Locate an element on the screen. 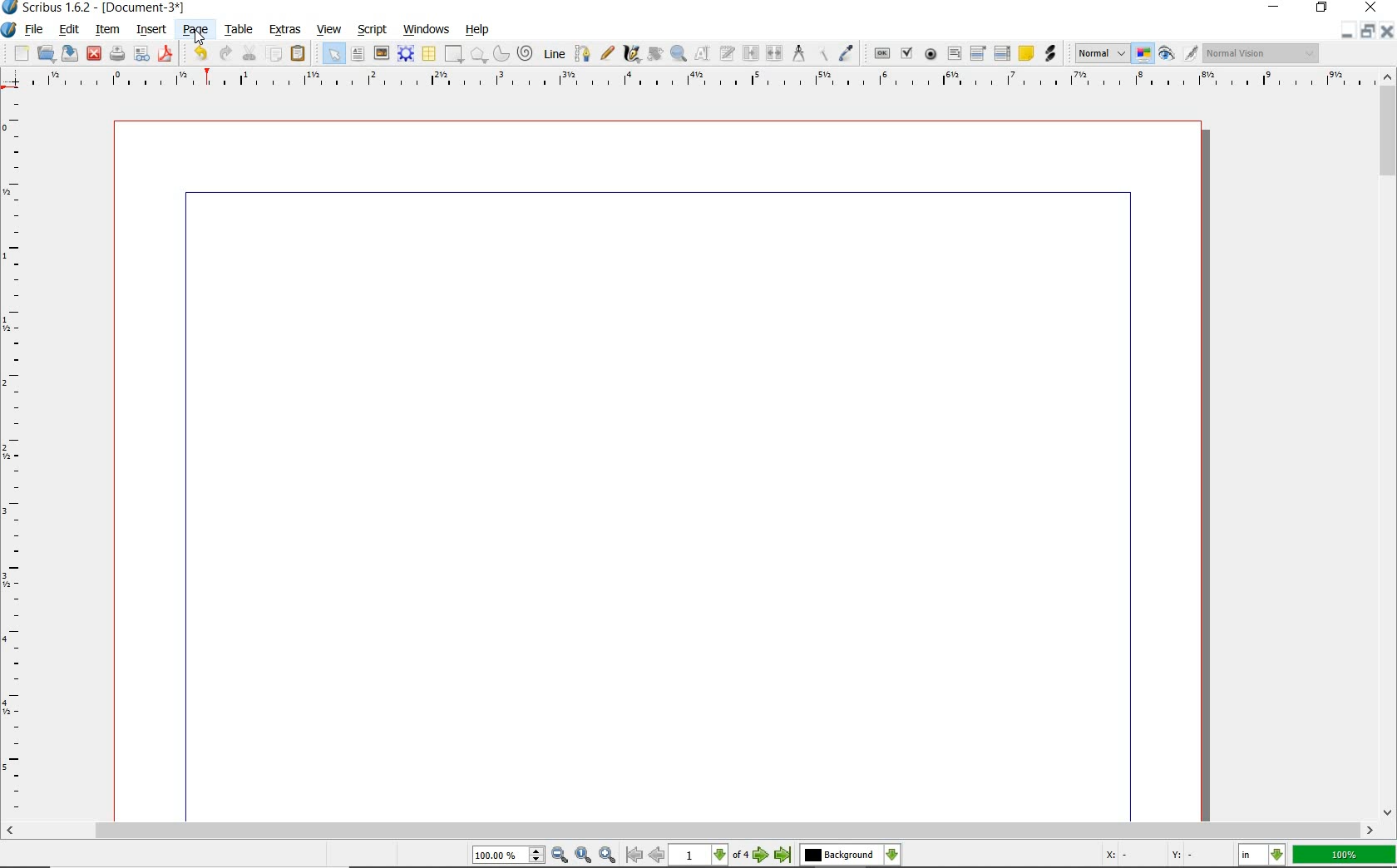 The image size is (1397, 868). extras is located at coordinates (284, 27).